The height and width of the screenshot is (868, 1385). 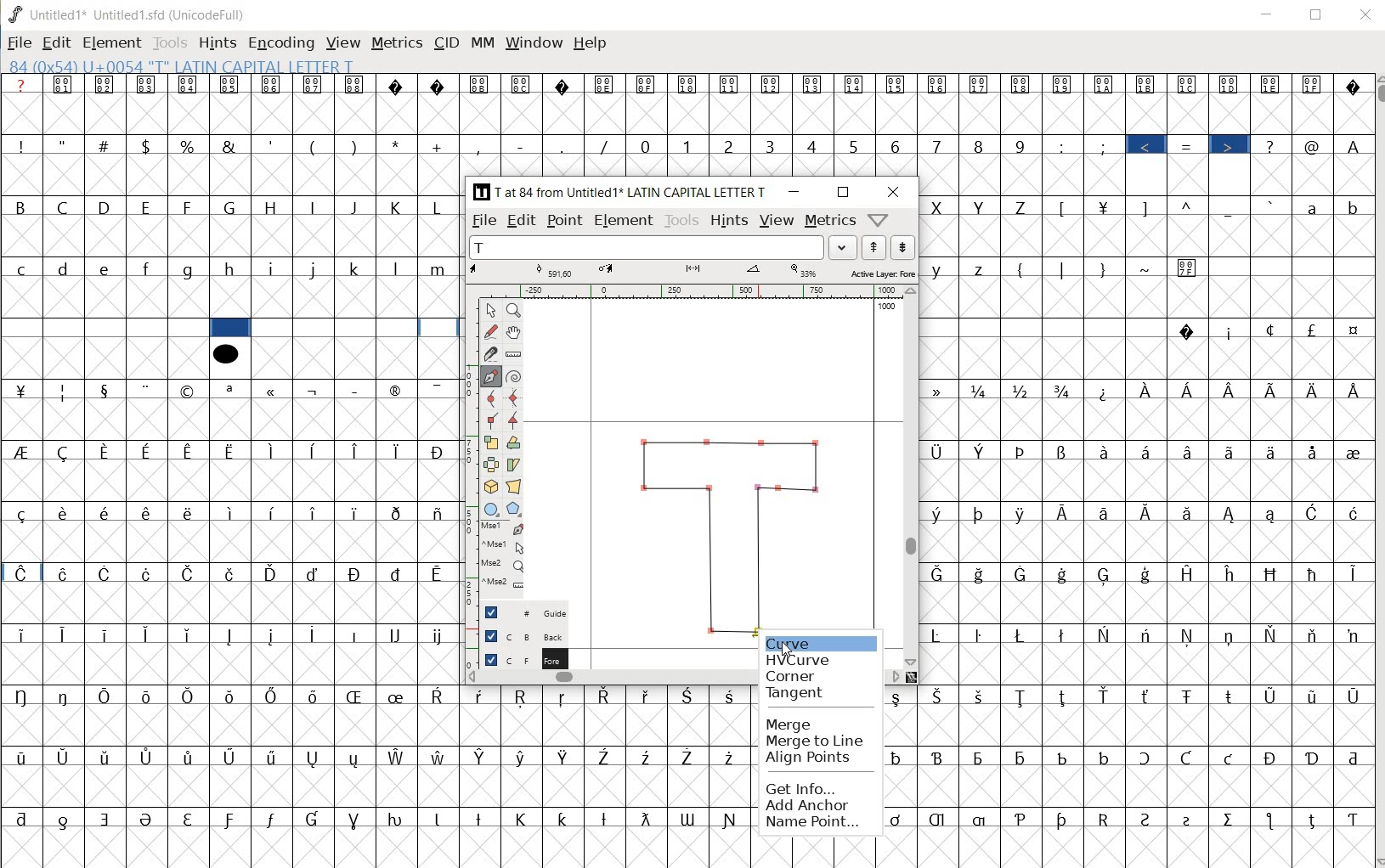 I want to click on F, so click(x=189, y=207).